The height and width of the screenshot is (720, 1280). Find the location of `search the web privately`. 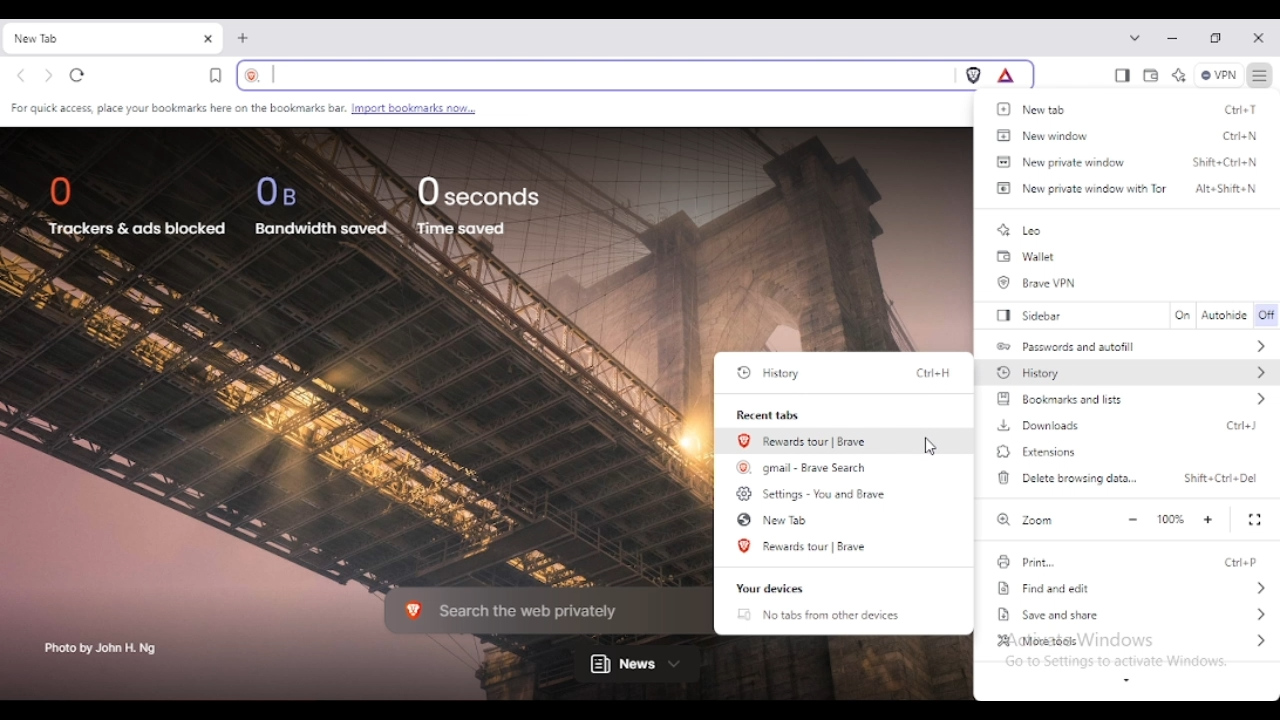

search the web privately is located at coordinates (536, 609).